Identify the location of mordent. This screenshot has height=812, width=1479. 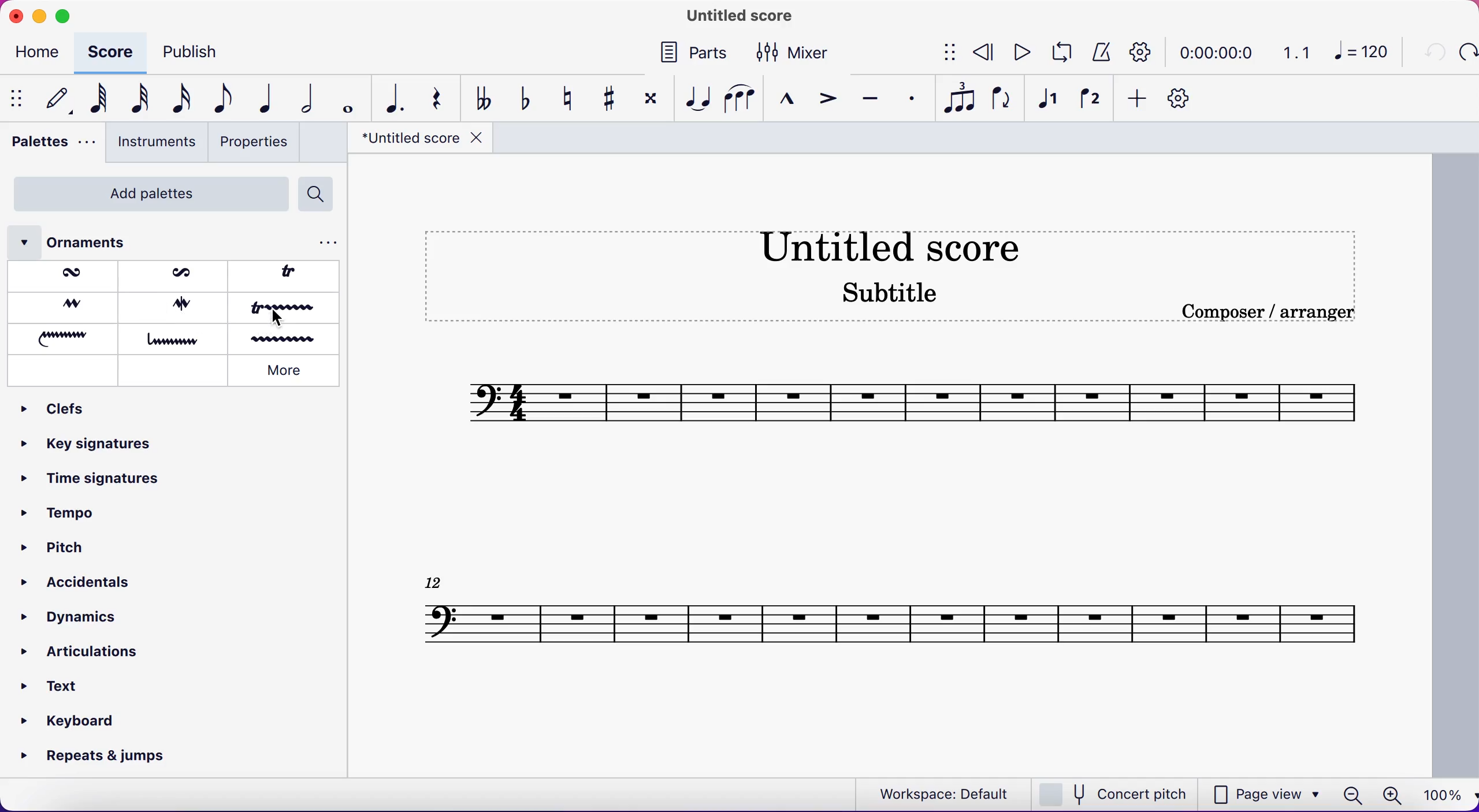
(67, 276).